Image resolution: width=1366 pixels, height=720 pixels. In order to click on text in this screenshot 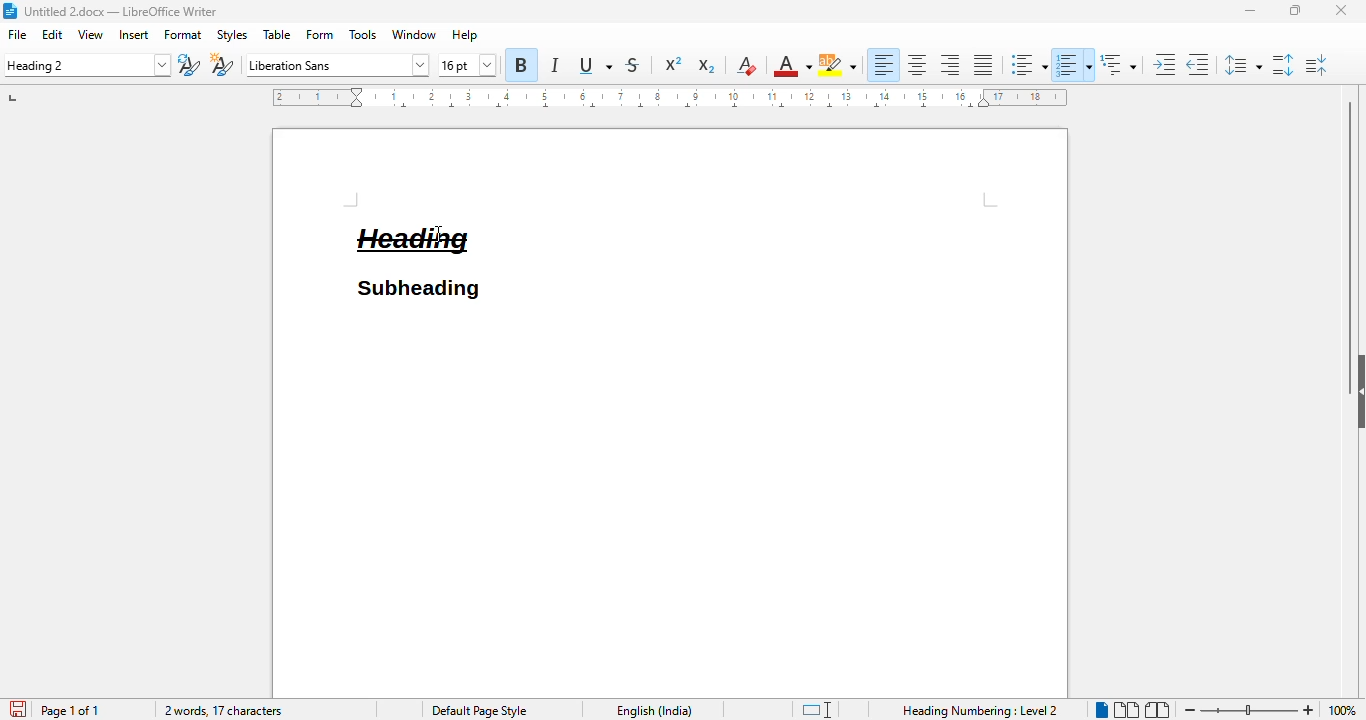, I will do `click(417, 289)`.